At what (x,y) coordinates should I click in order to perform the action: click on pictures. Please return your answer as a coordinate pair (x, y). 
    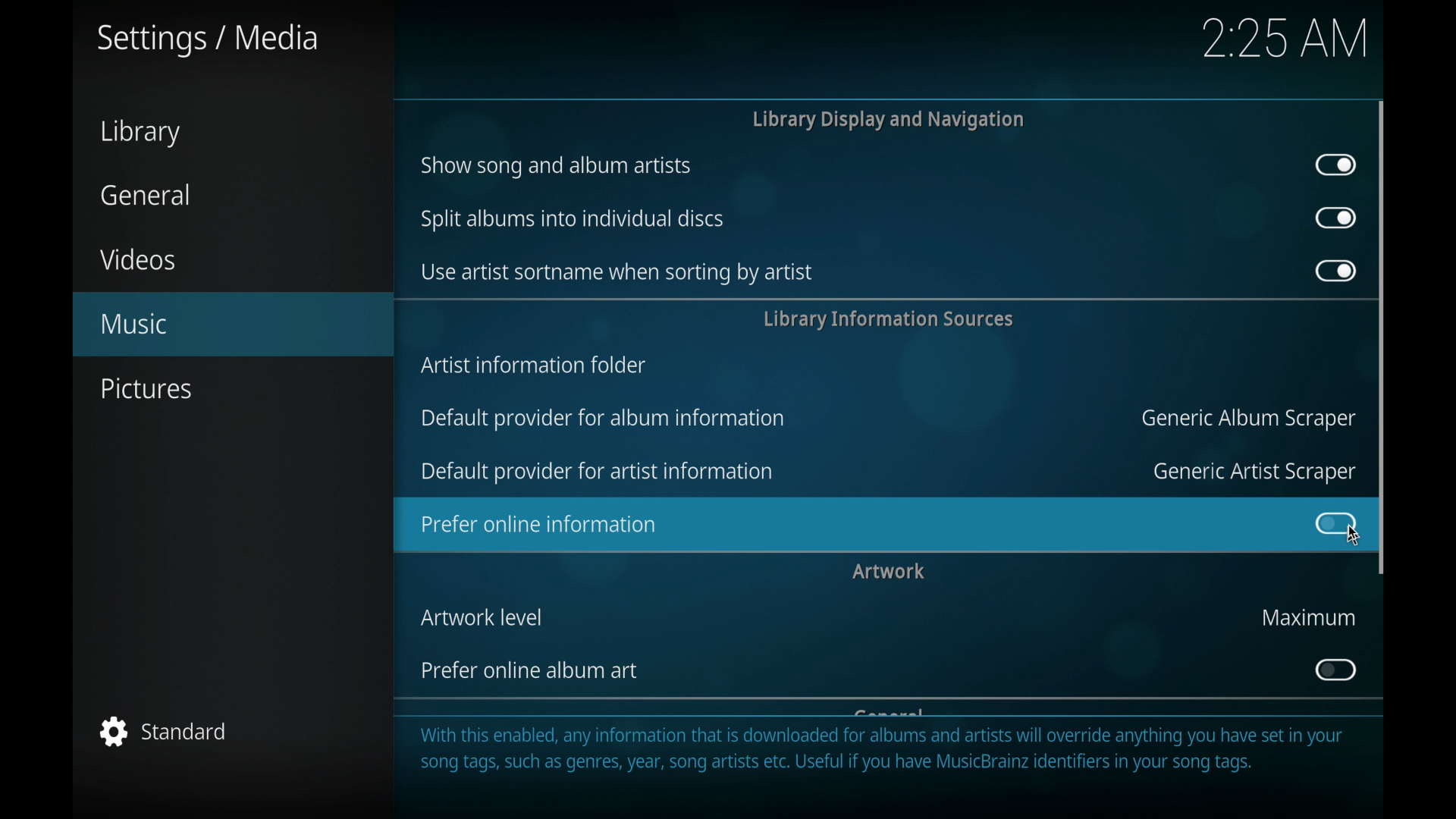
    Looking at the image, I should click on (149, 389).